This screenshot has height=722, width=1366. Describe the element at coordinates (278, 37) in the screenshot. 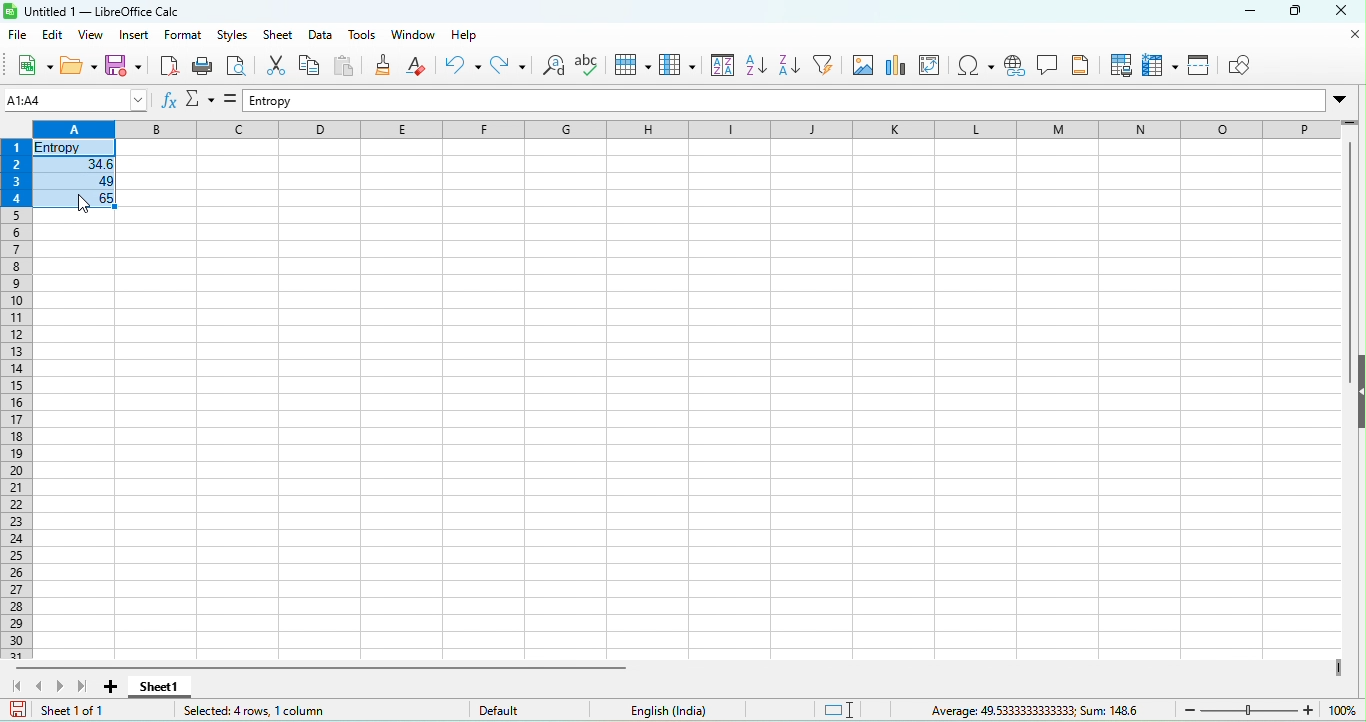

I see `sheet` at that location.